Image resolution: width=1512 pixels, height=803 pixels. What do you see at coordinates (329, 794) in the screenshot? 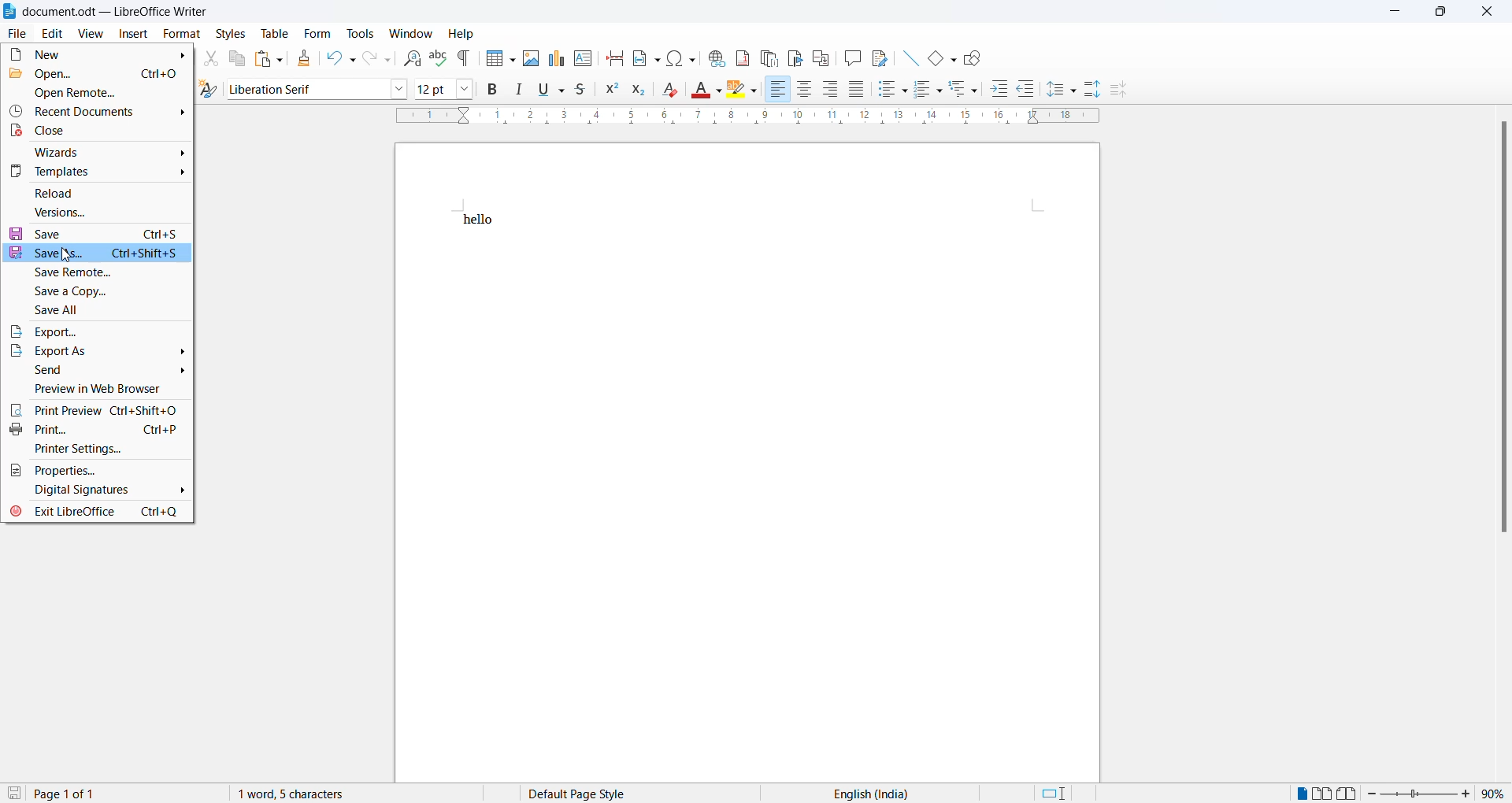
I see `1 word, 5 characters` at bounding box center [329, 794].